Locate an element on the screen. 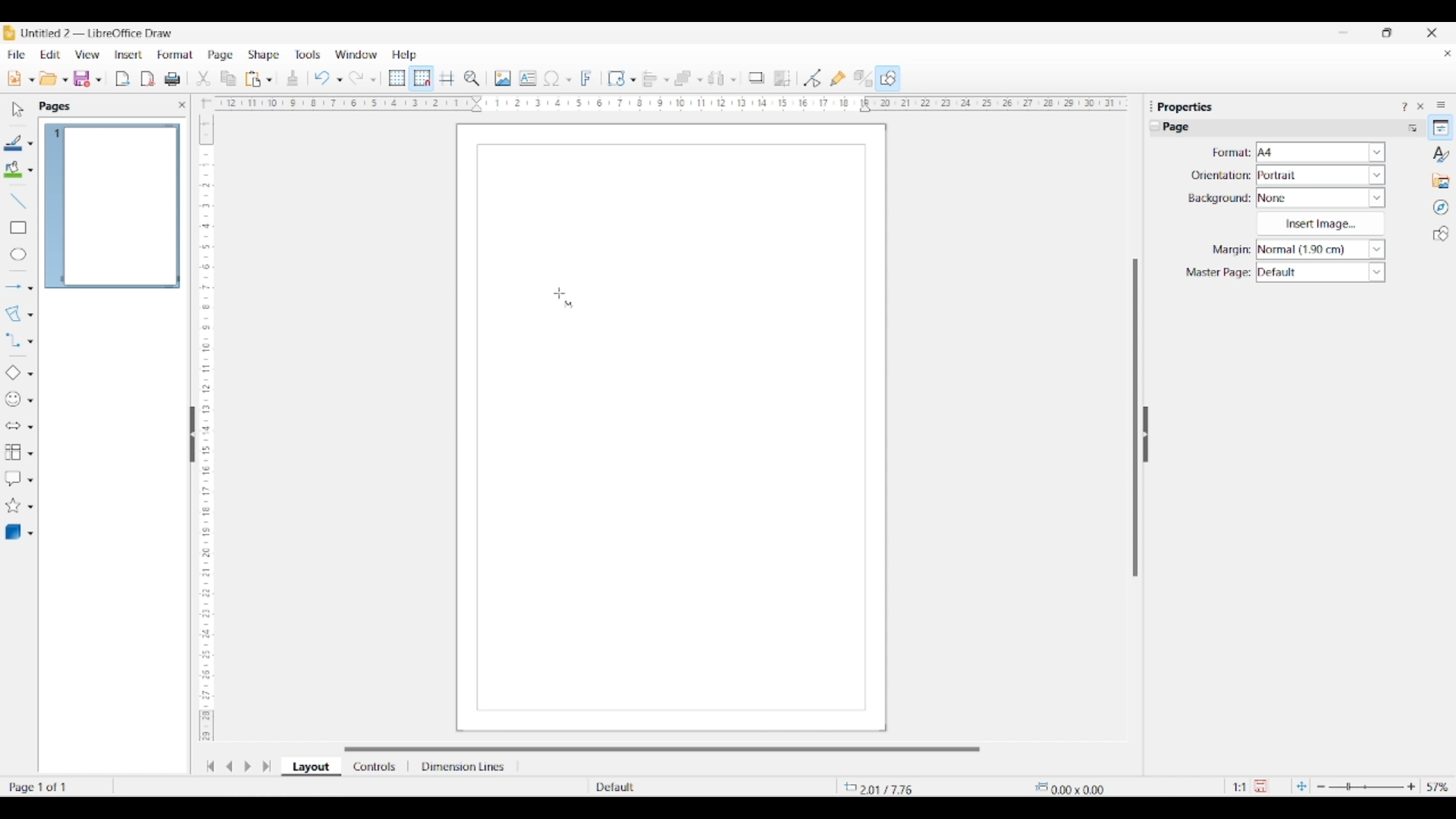  Sidebar settings is located at coordinates (1441, 104).